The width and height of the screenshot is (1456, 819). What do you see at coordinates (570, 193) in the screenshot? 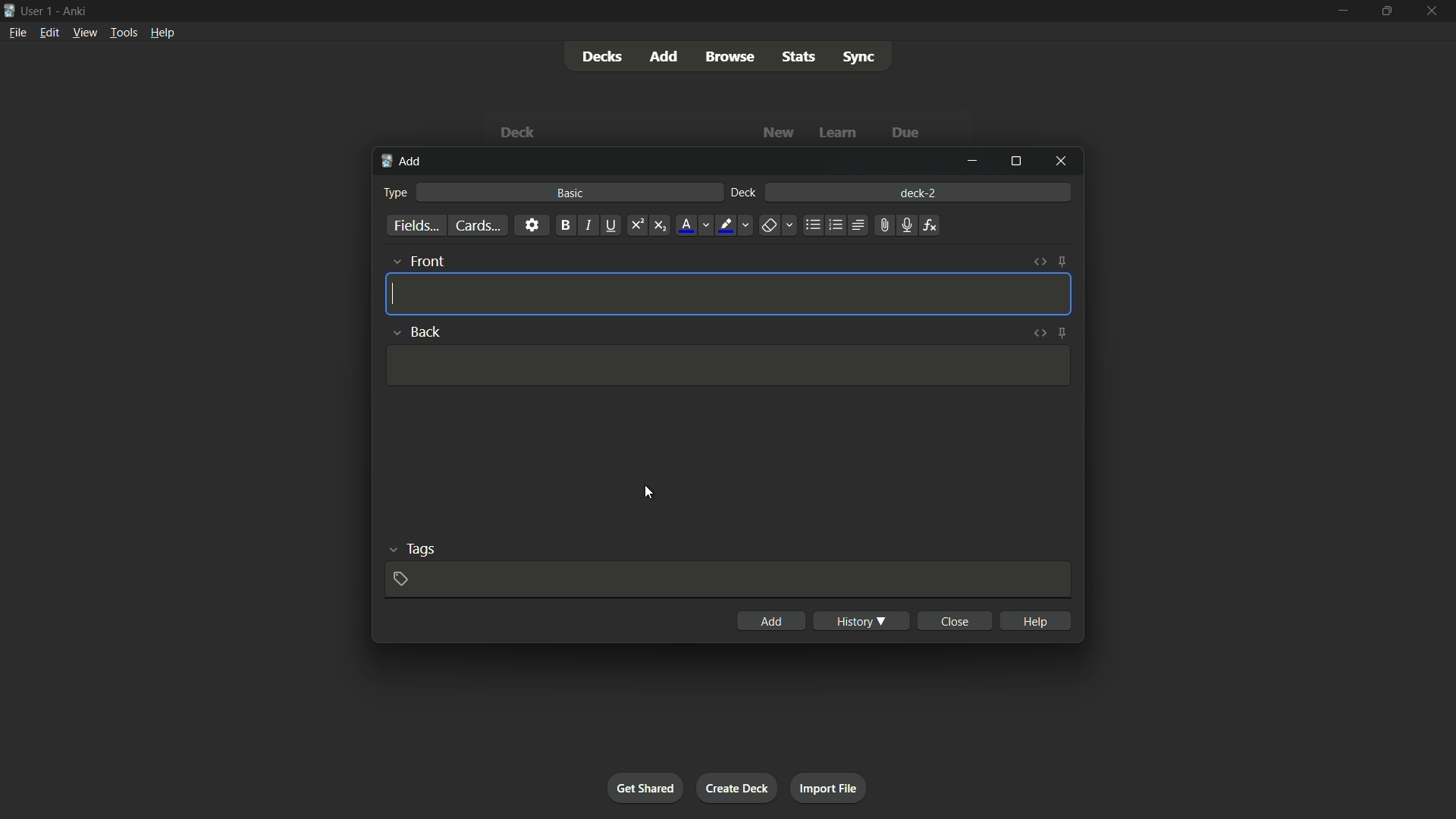
I see `basic` at bounding box center [570, 193].